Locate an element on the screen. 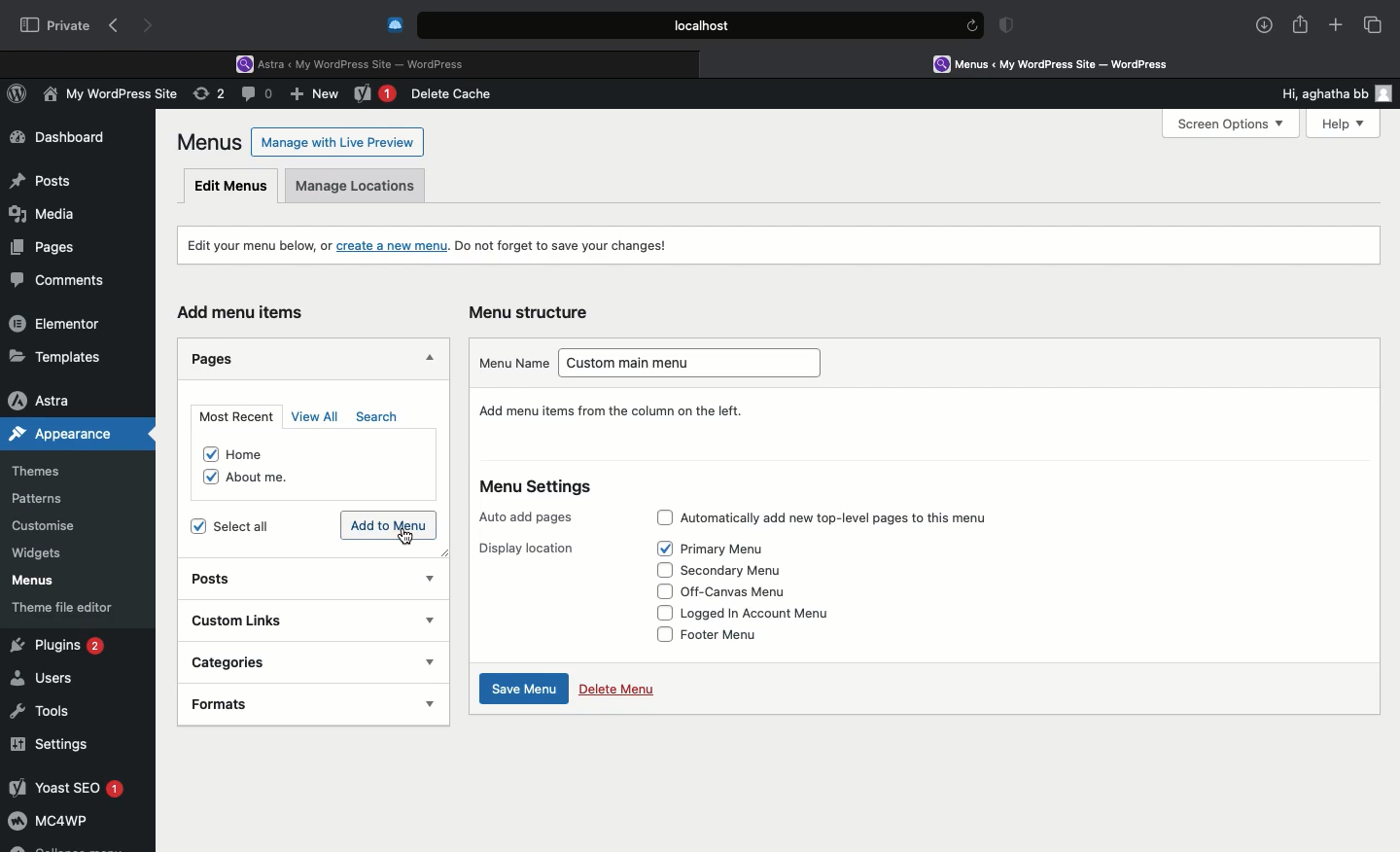 The height and width of the screenshot is (852, 1400). New is located at coordinates (317, 96).